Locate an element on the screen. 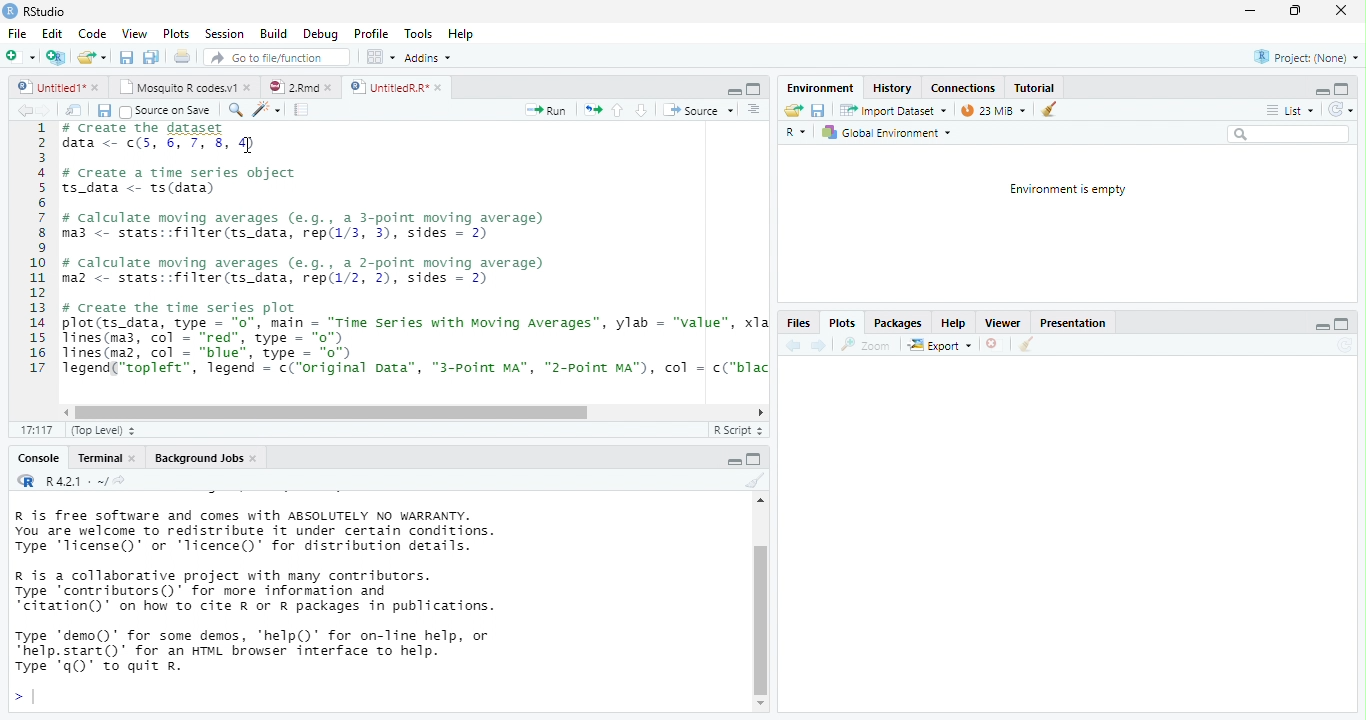 The height and width of the screenshot is (720, 1366). Environment is empty. is located at coordinates (1067, 190).